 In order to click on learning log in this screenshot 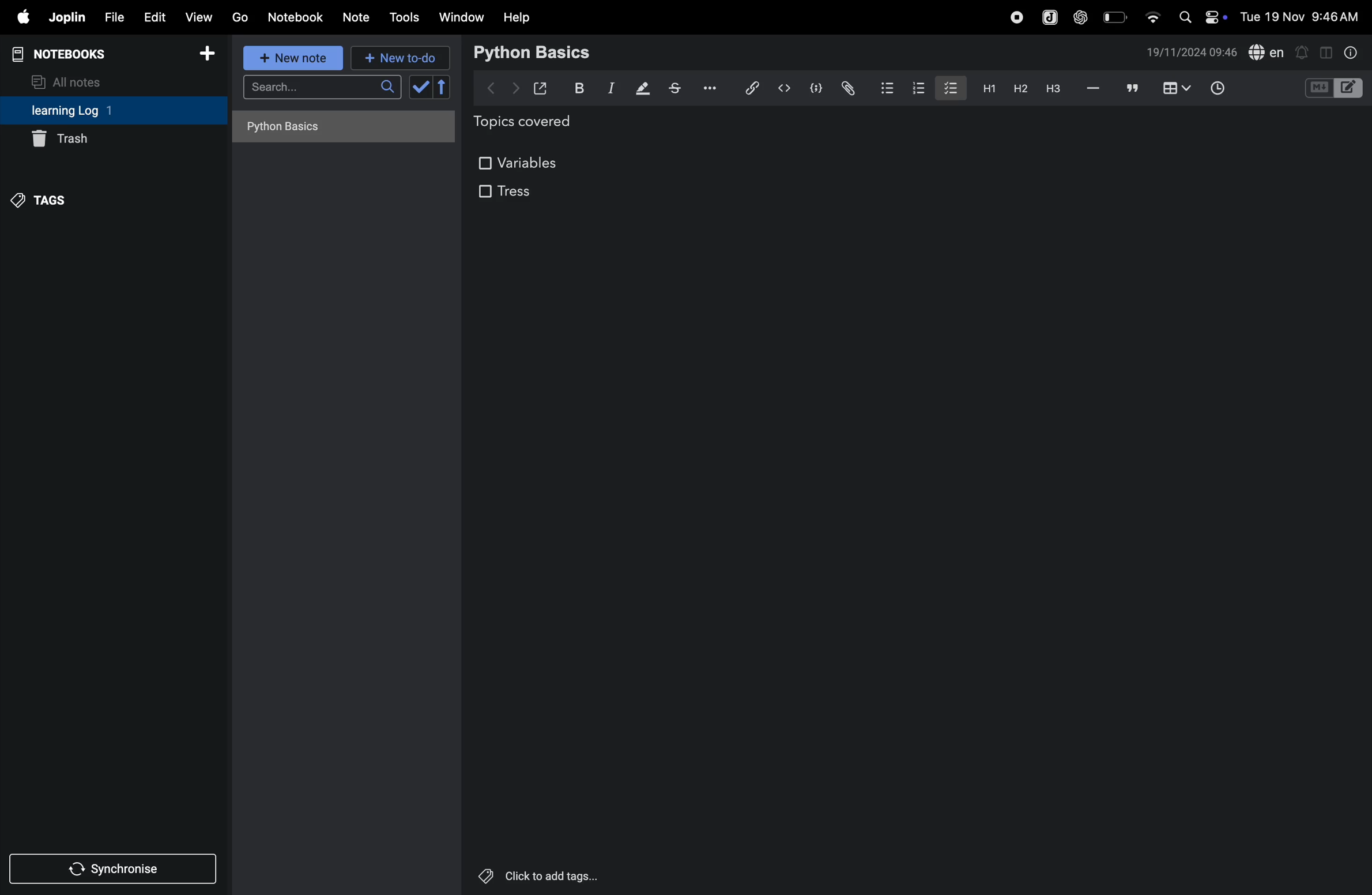, I will do `click(88, 111)`.